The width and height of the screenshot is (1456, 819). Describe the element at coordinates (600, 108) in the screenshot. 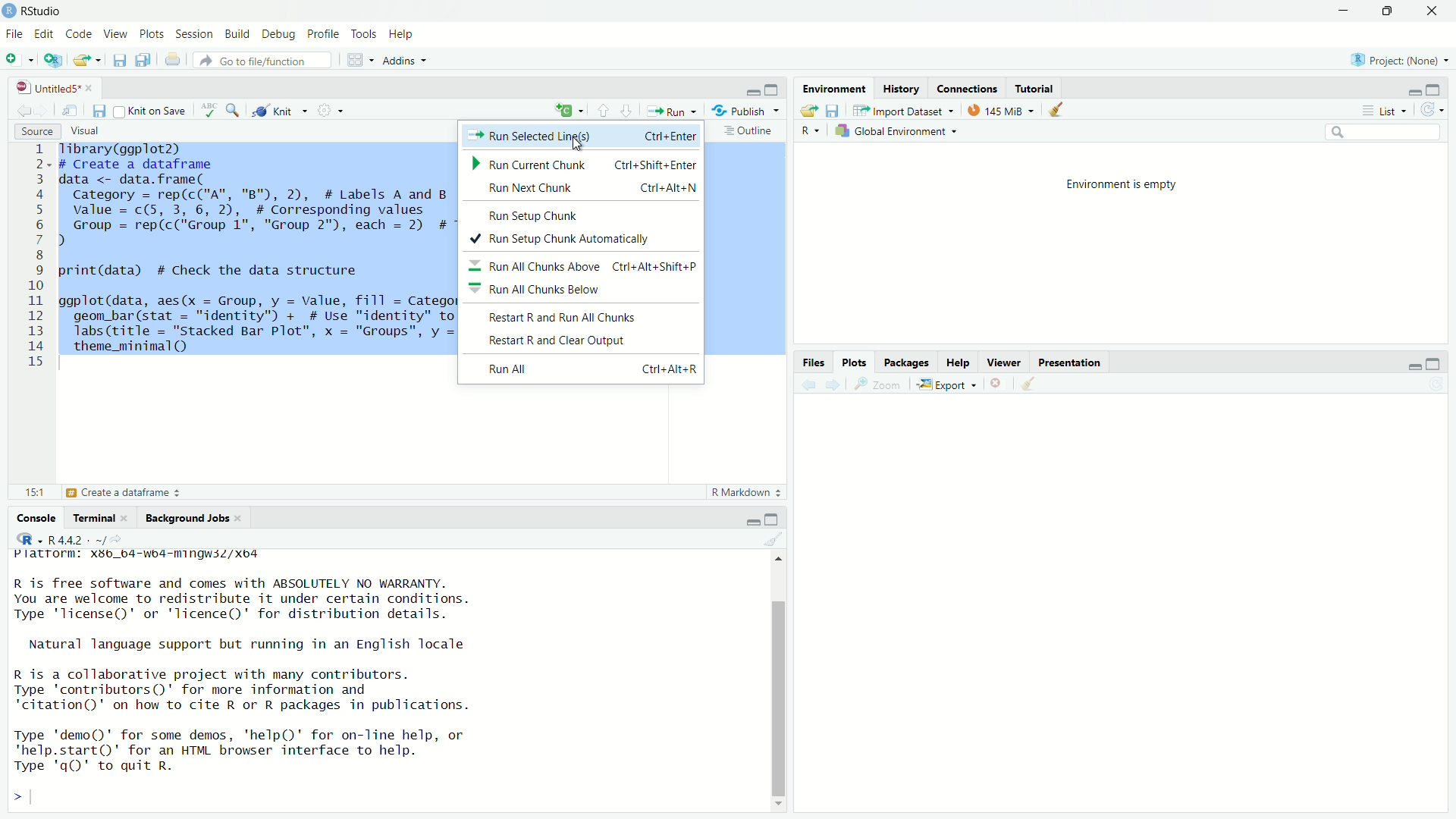

I see `Go to previous section/chunk (Ctrl + PgUp)` at that location.